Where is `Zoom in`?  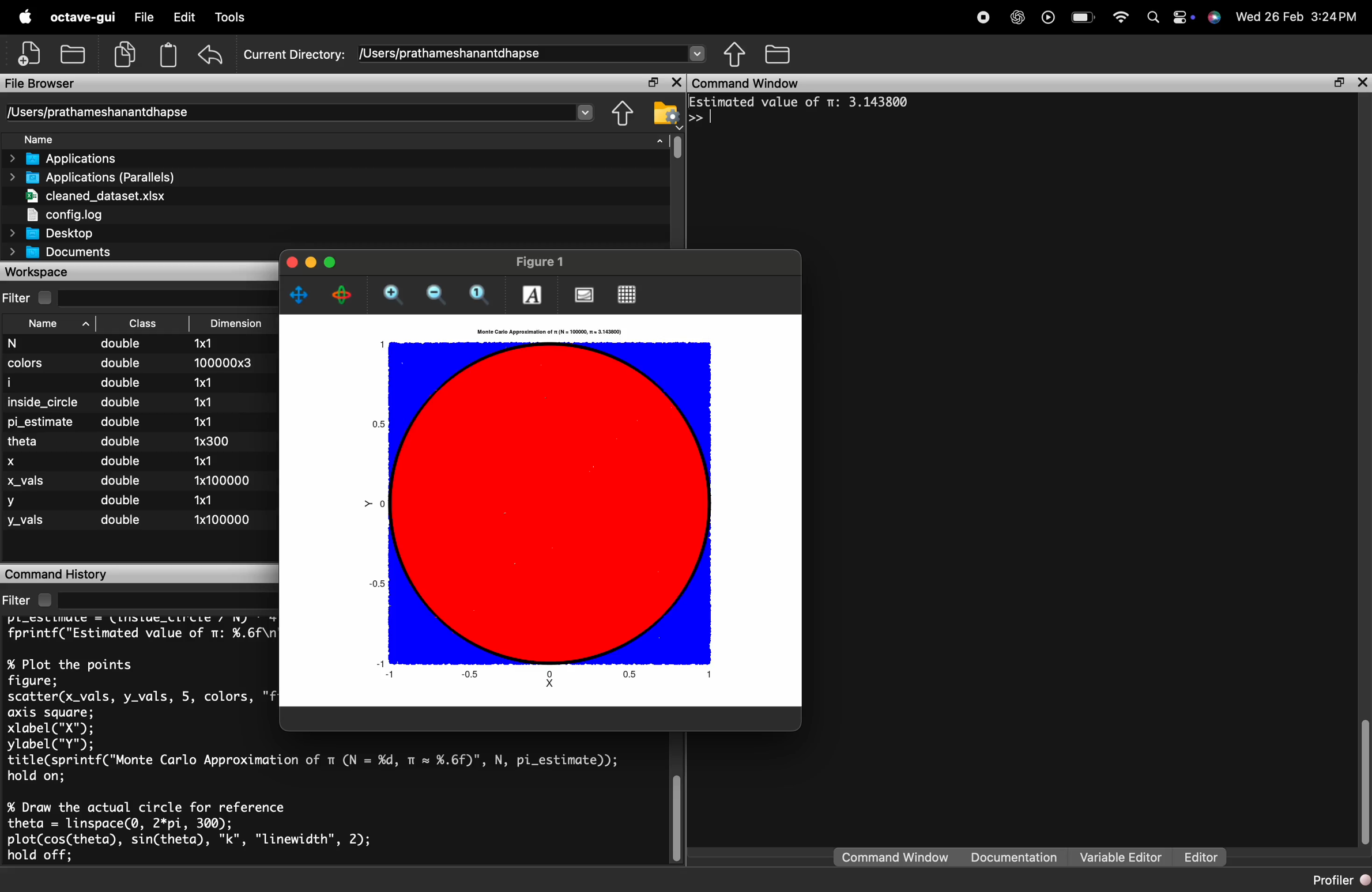 Zoom in is located at coordinates (392, 293).